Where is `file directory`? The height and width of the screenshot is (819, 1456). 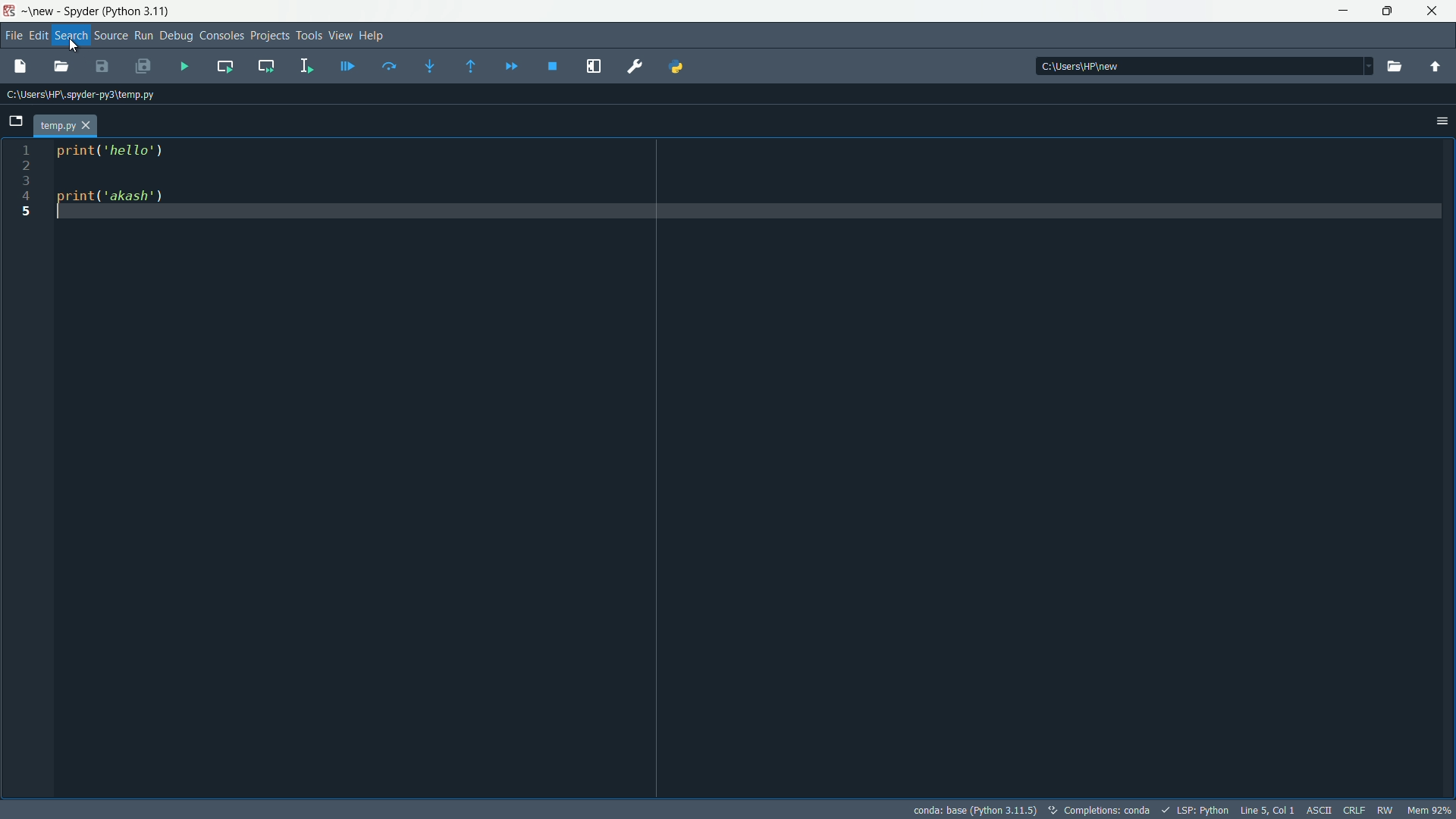 file directory is located at coordinates (86, 94).